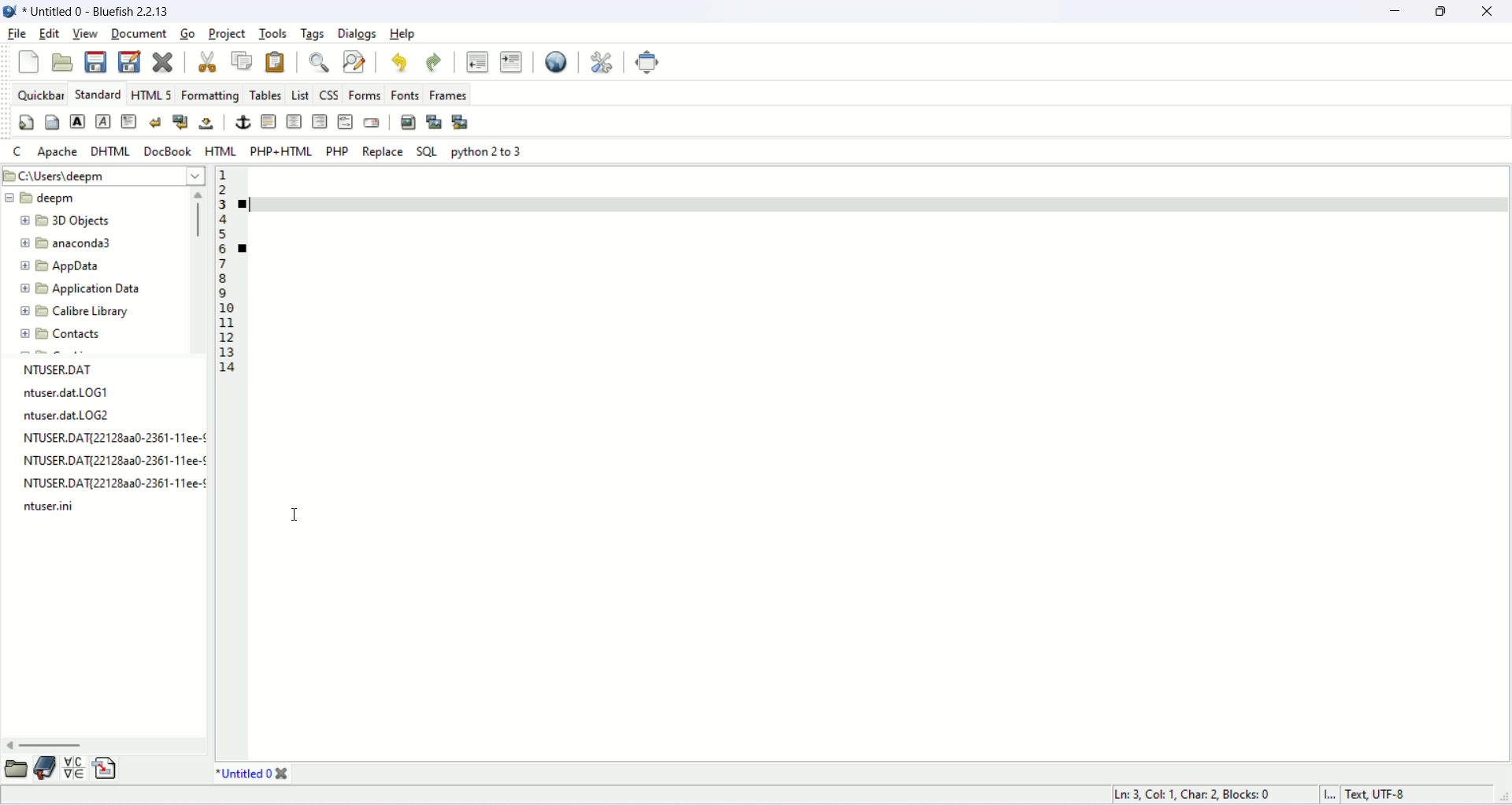 The image size is (1512, 805). What do you see at coordinates (243, 122) in the screenshot?
I see `anchor` at bounding box center [243, 122].